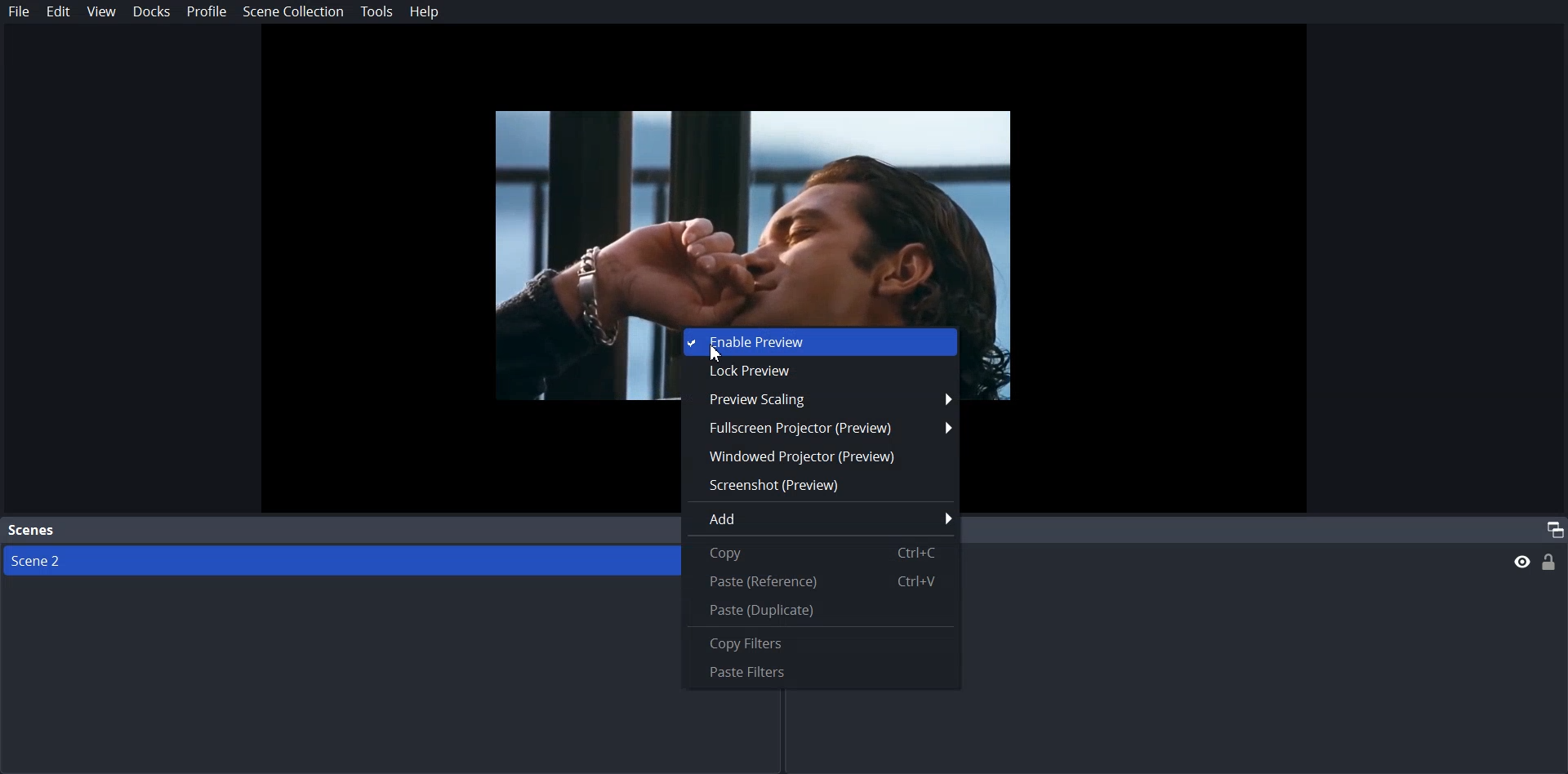 The height and width of the screenshot is (774, 1568). Describe the element at coordinates (1550, 562) in the screenshot. I see `Lock` at that location.